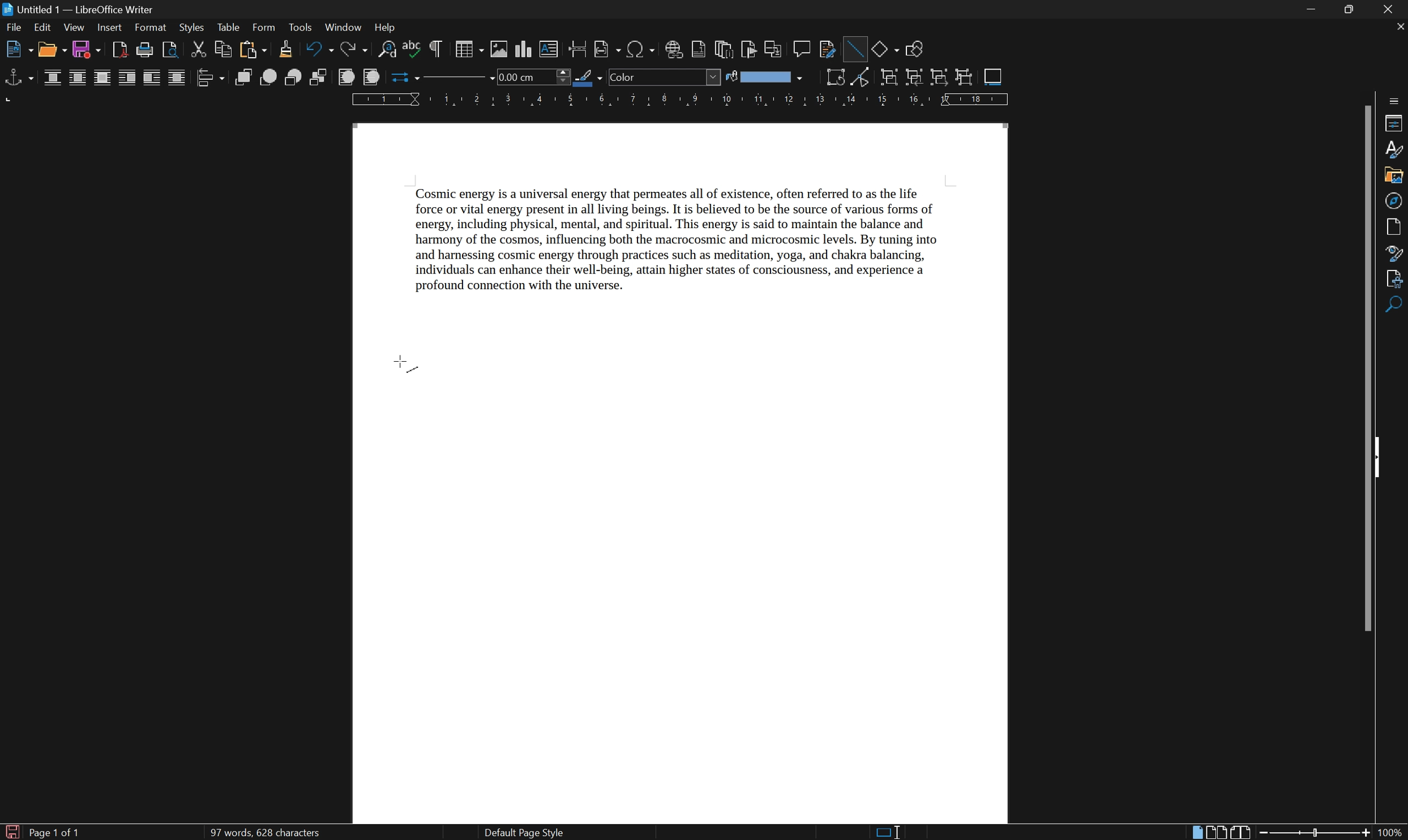  I want to click on format, so click(151, 28).